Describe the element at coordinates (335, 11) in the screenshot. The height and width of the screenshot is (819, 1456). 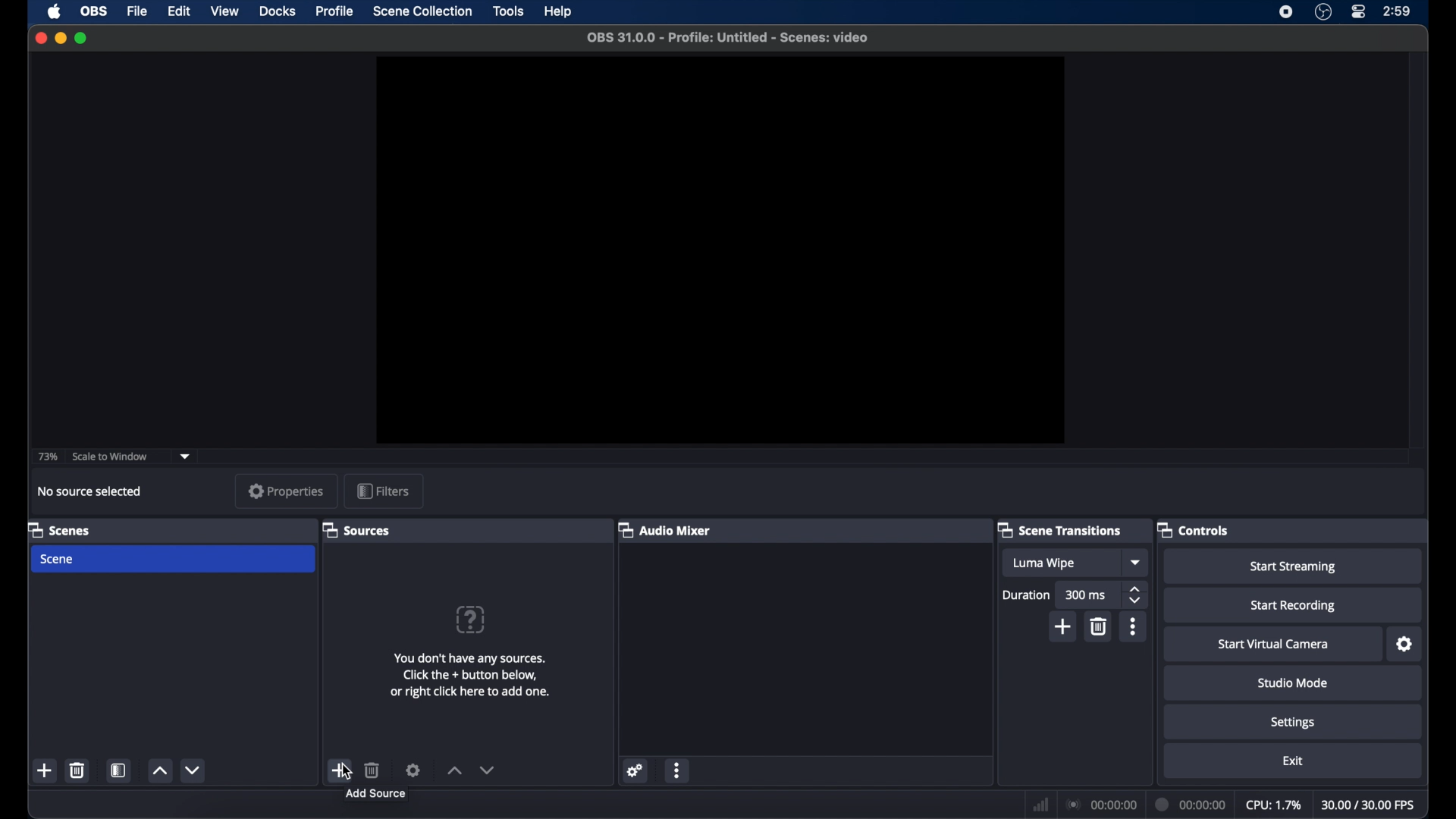
I see `profile` at that location.